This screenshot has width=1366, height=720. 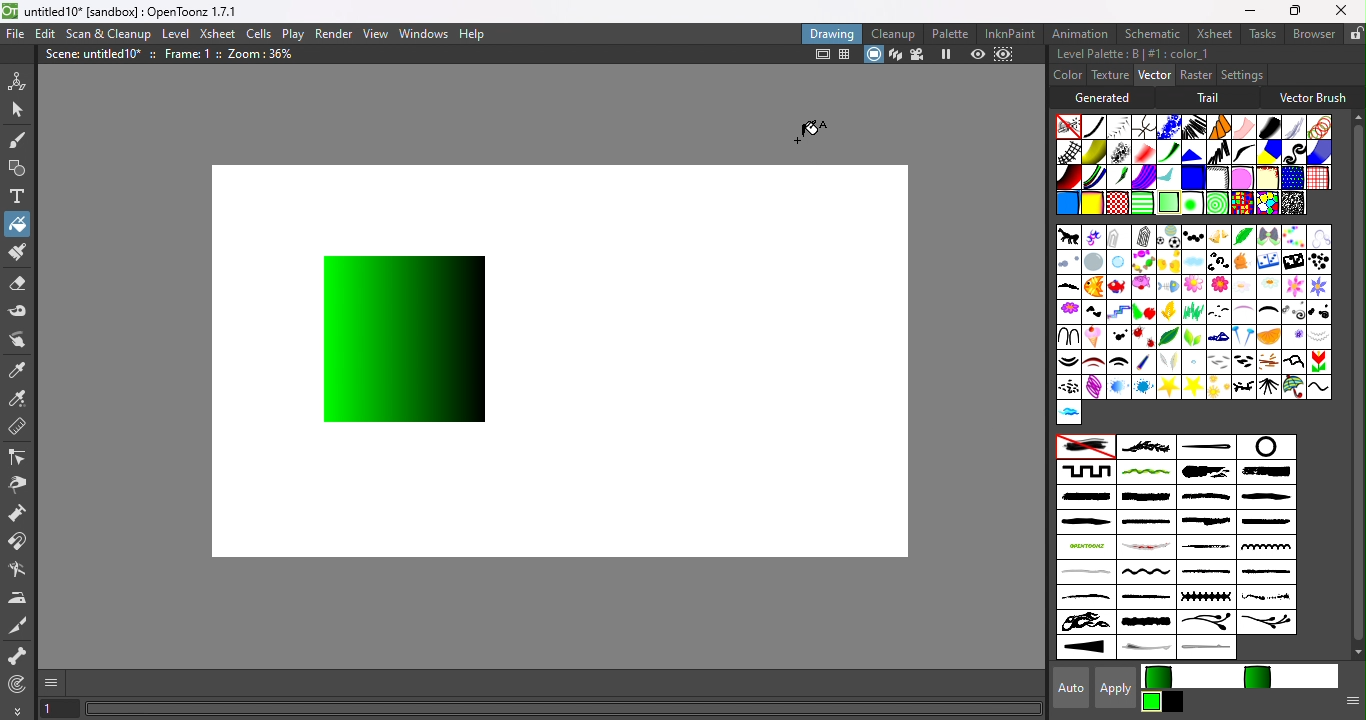 I want to click on Current style, so click(x=1152, y=701).